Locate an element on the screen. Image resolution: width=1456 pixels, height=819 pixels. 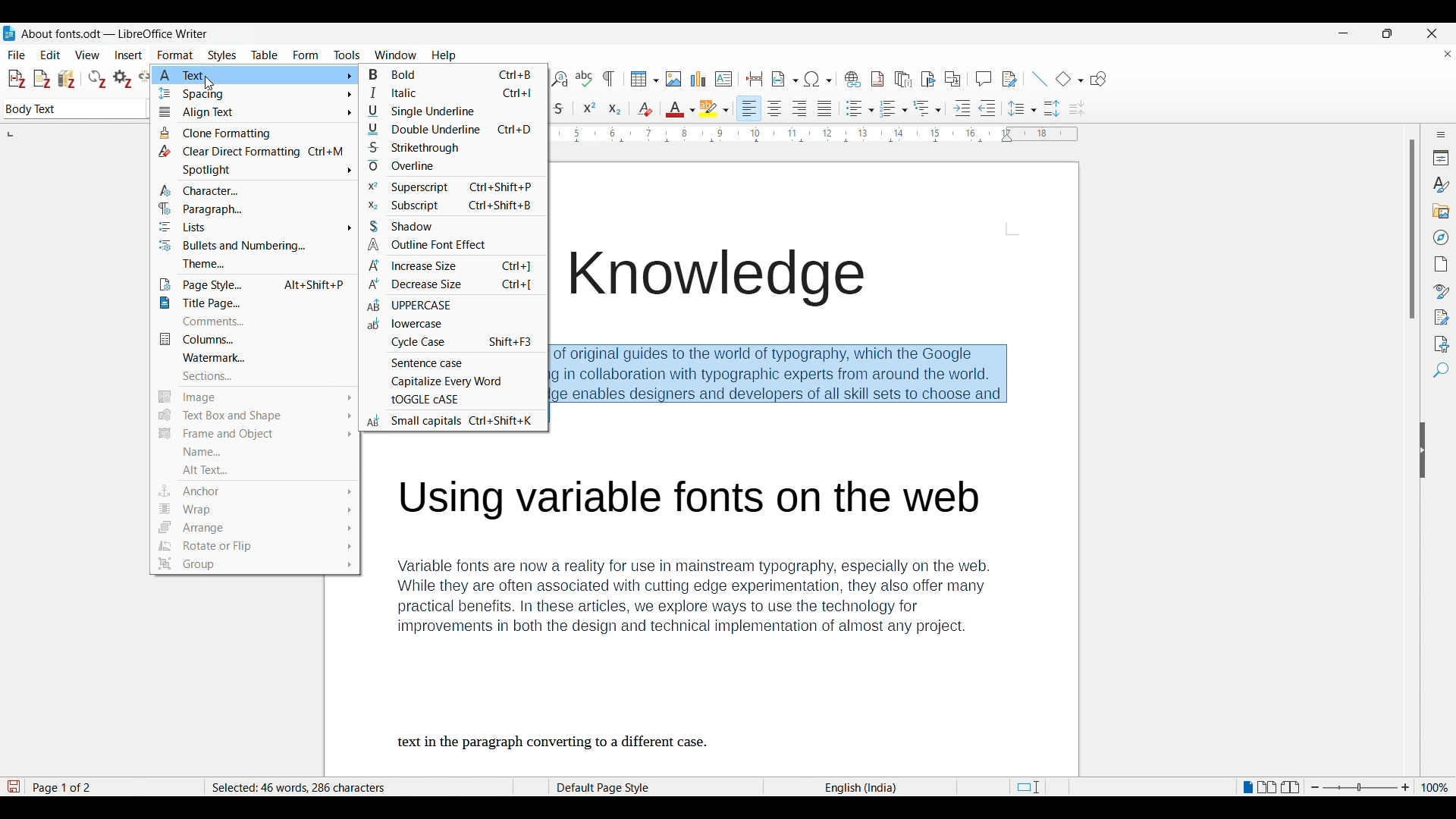
Image is located at coordinates (253, 397).